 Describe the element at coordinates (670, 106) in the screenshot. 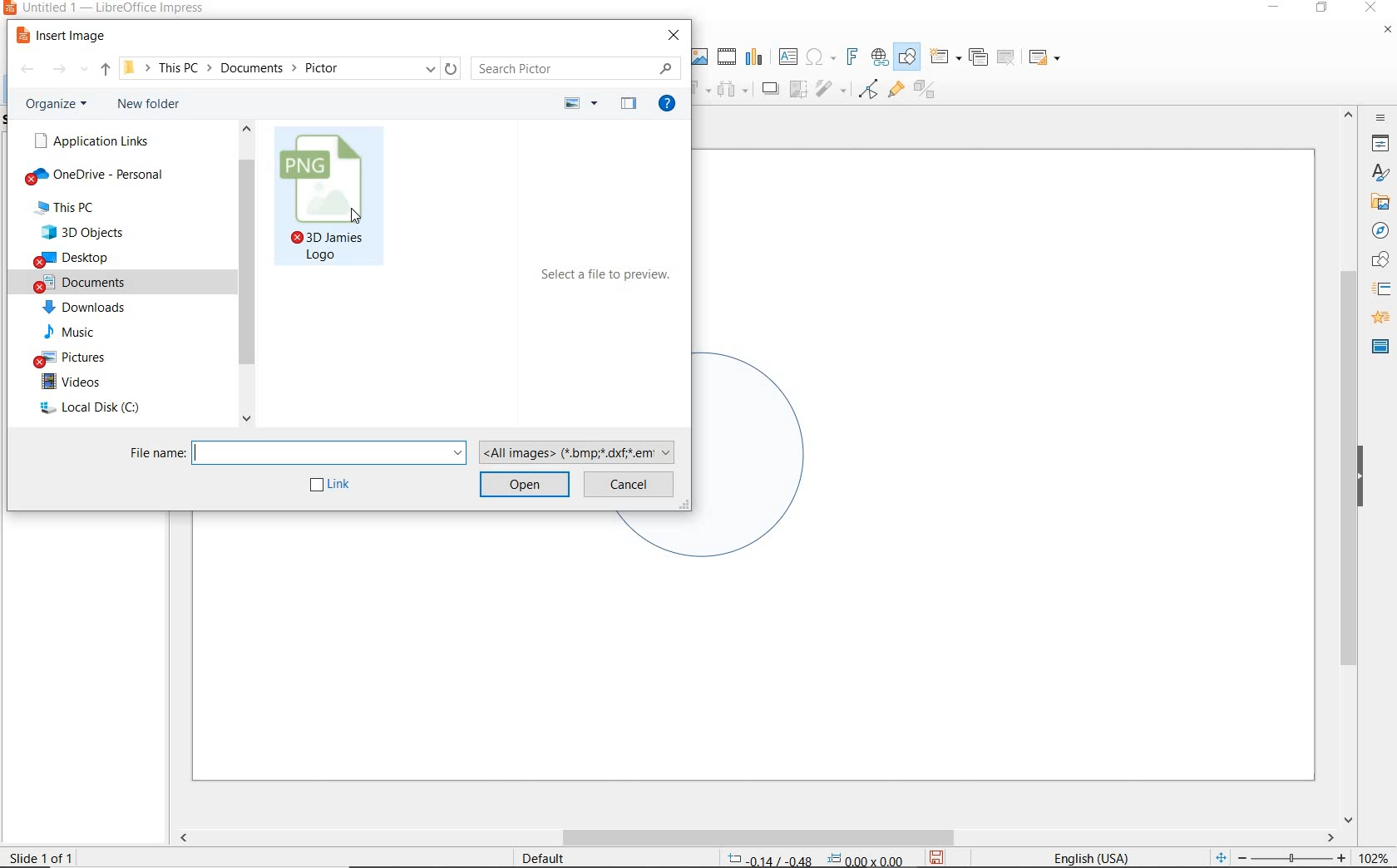

I see `help` at that location.